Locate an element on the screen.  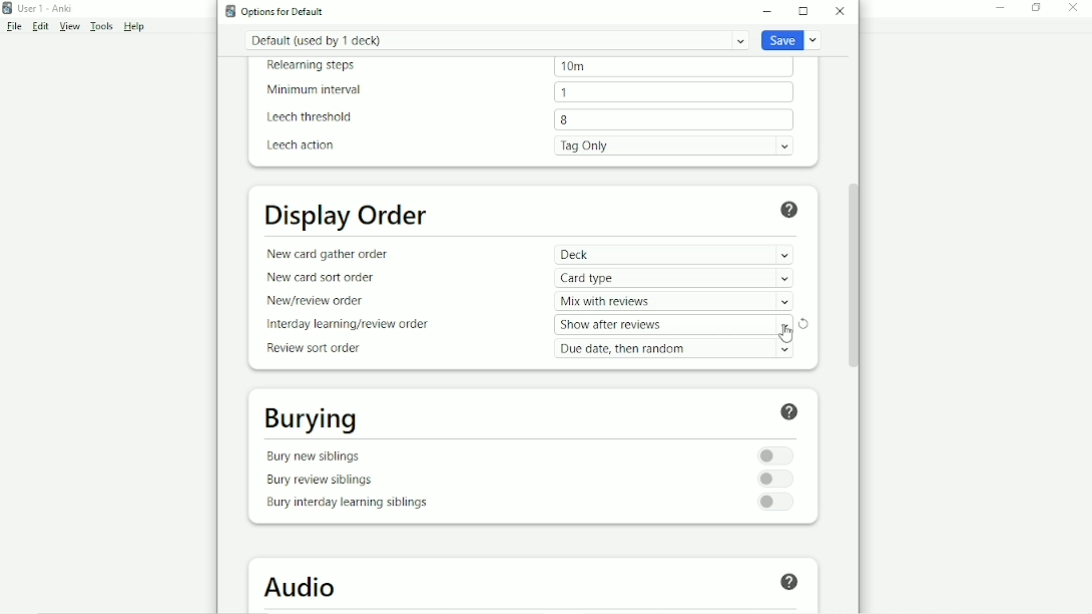
Close is located at coordinates (840, 11).